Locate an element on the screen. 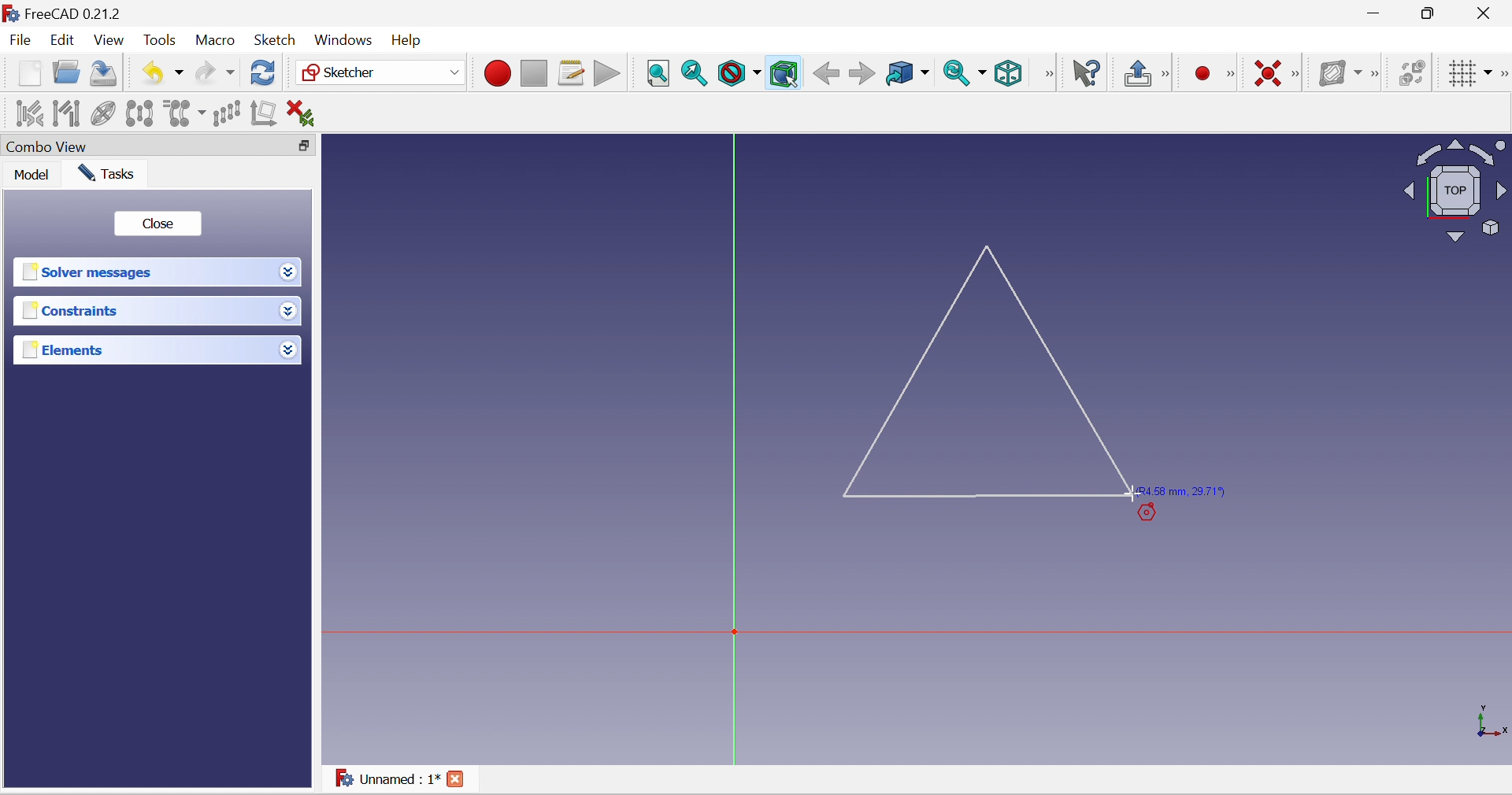 This screenshot has height=795, width=1512. New is located at coordinates (29, 73).